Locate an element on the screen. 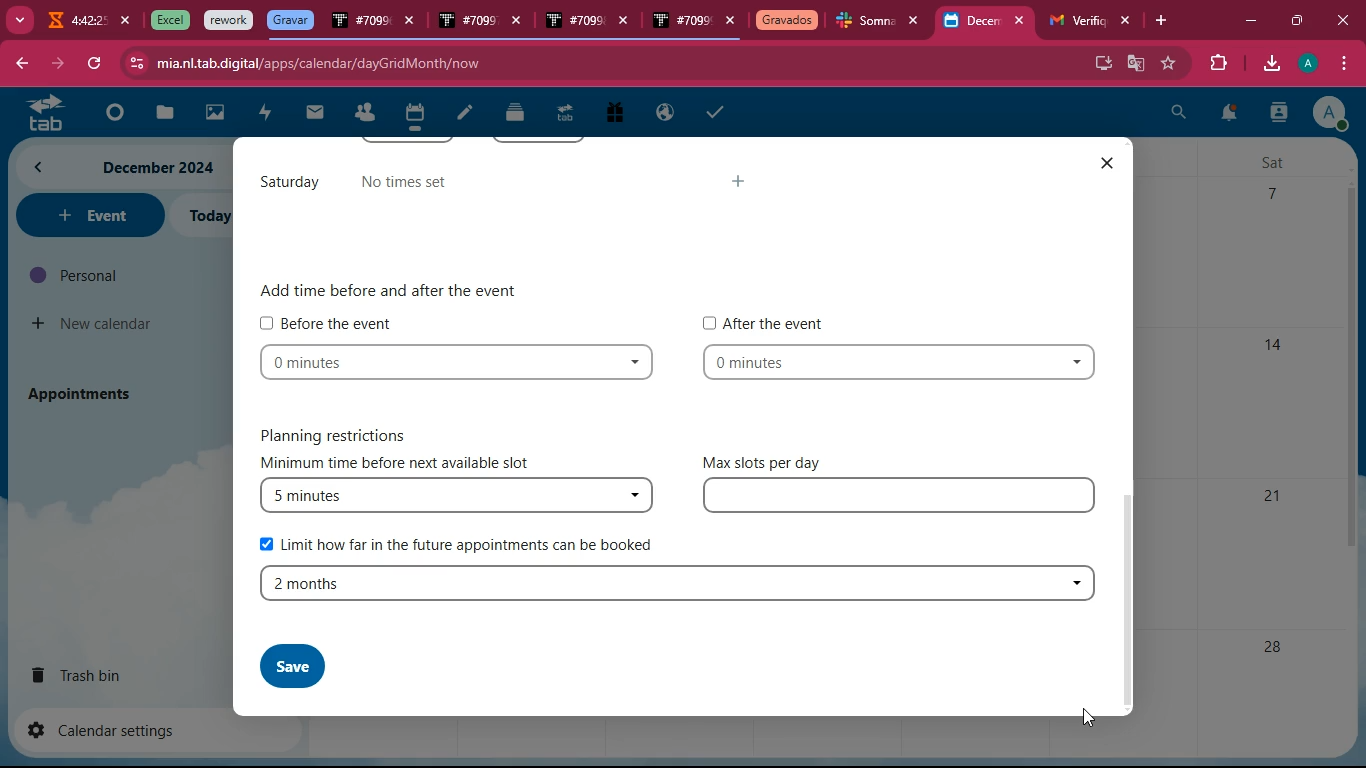  add tab is located at coordinates (1165, 21).